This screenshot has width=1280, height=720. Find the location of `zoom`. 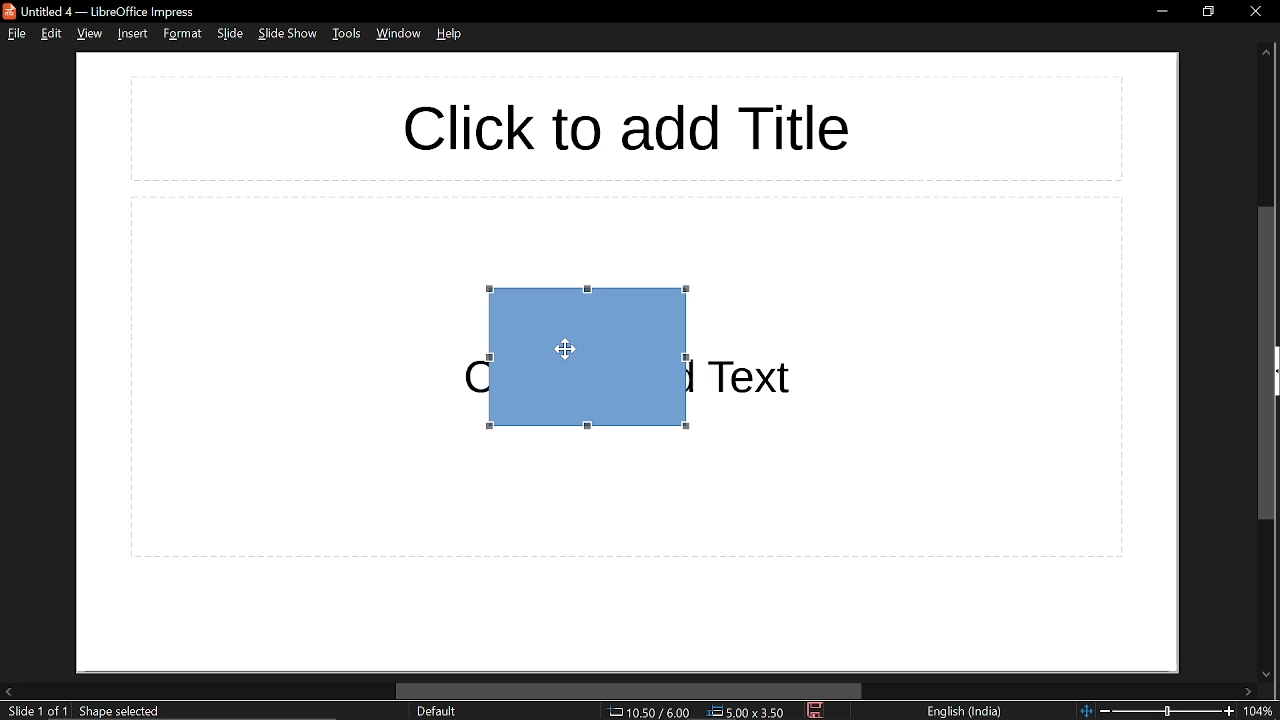

zoom is located at coordinates (1262, 712).